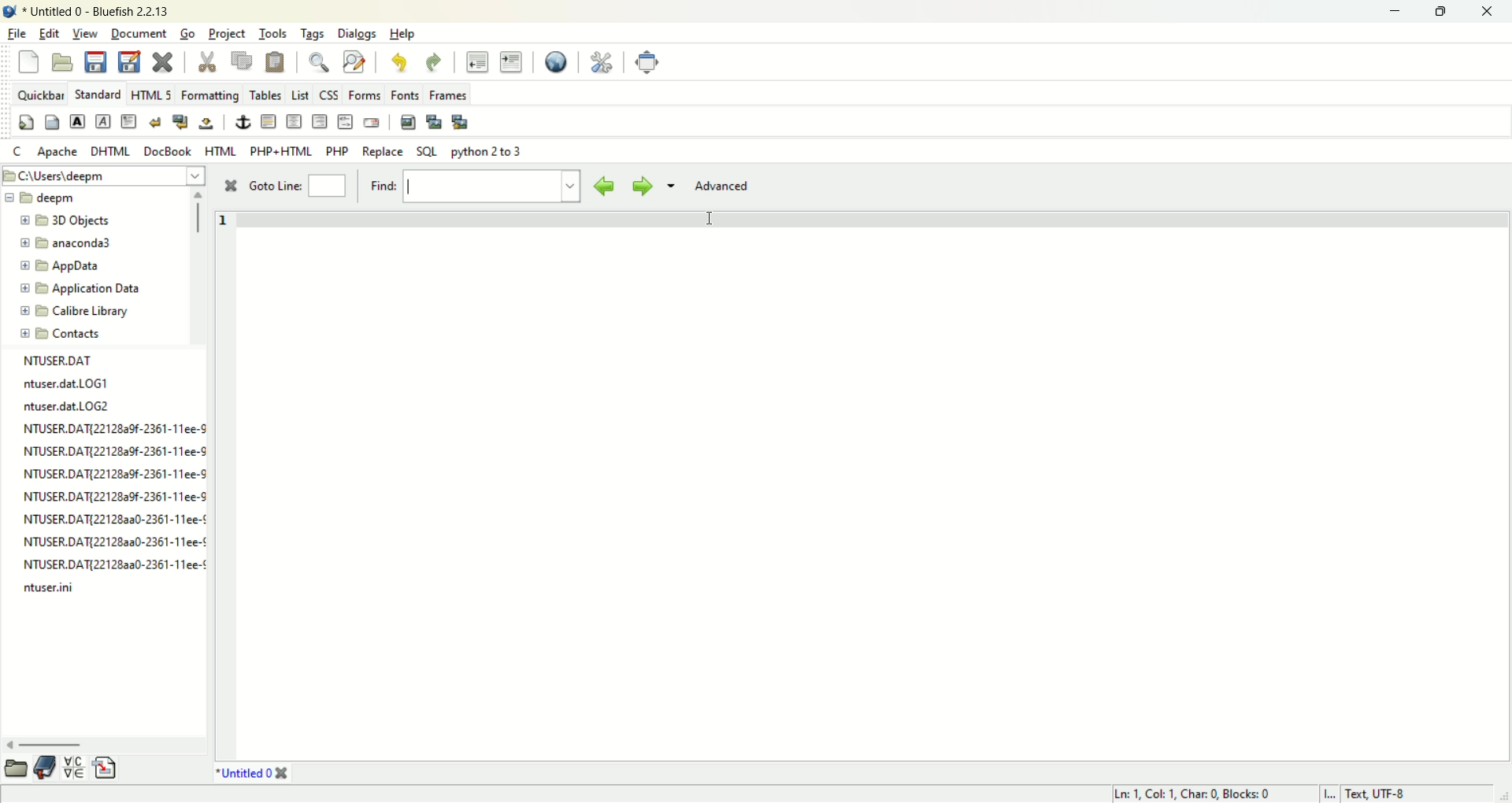 Image resolution: width=1512 pixels, height=803 pixels. Describe the element at coordinates (206, 63) in the screenshot. I see `cut` at that location.